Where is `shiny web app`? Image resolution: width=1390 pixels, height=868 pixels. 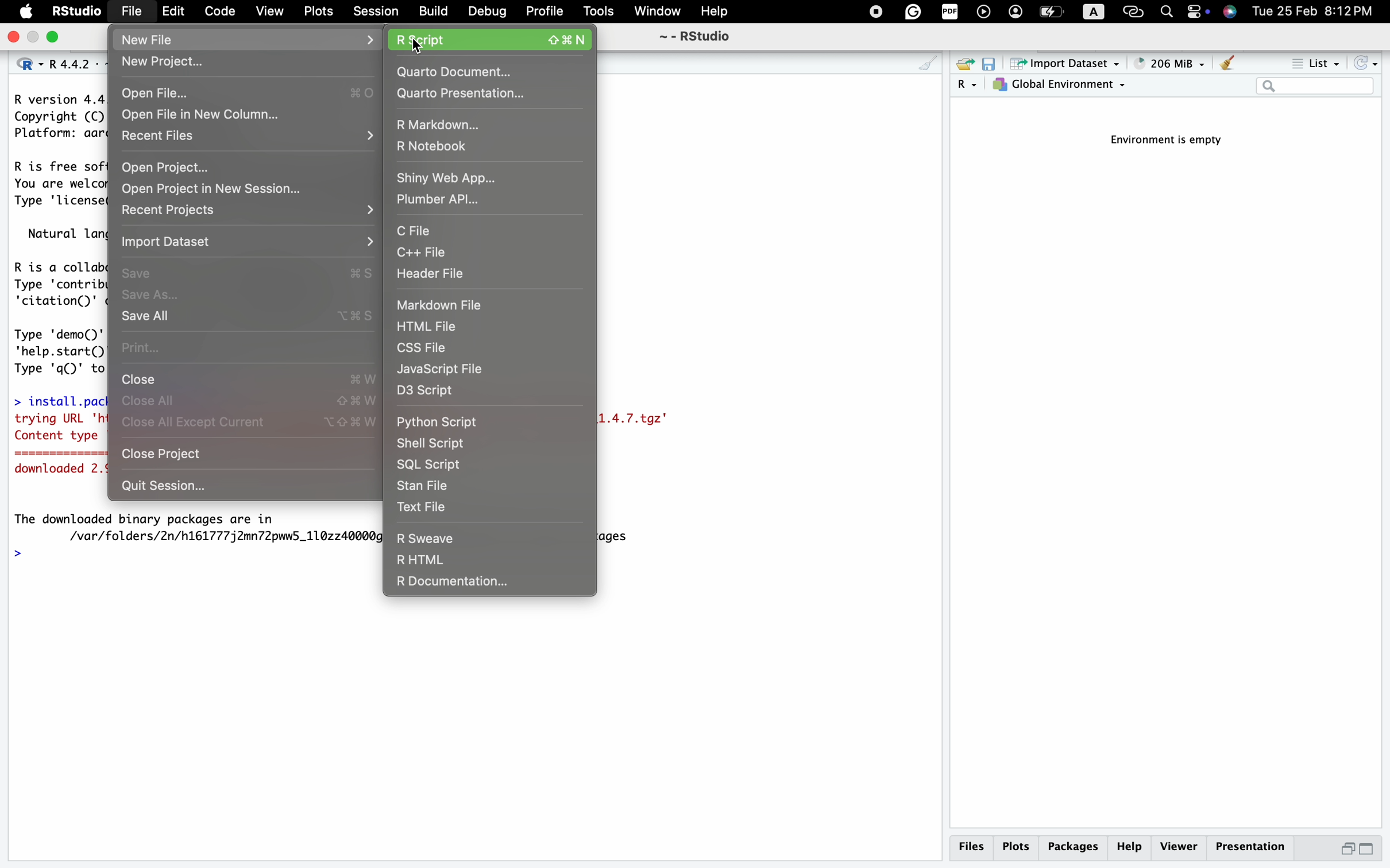
shiny web app is located at coordinates (489, 176).